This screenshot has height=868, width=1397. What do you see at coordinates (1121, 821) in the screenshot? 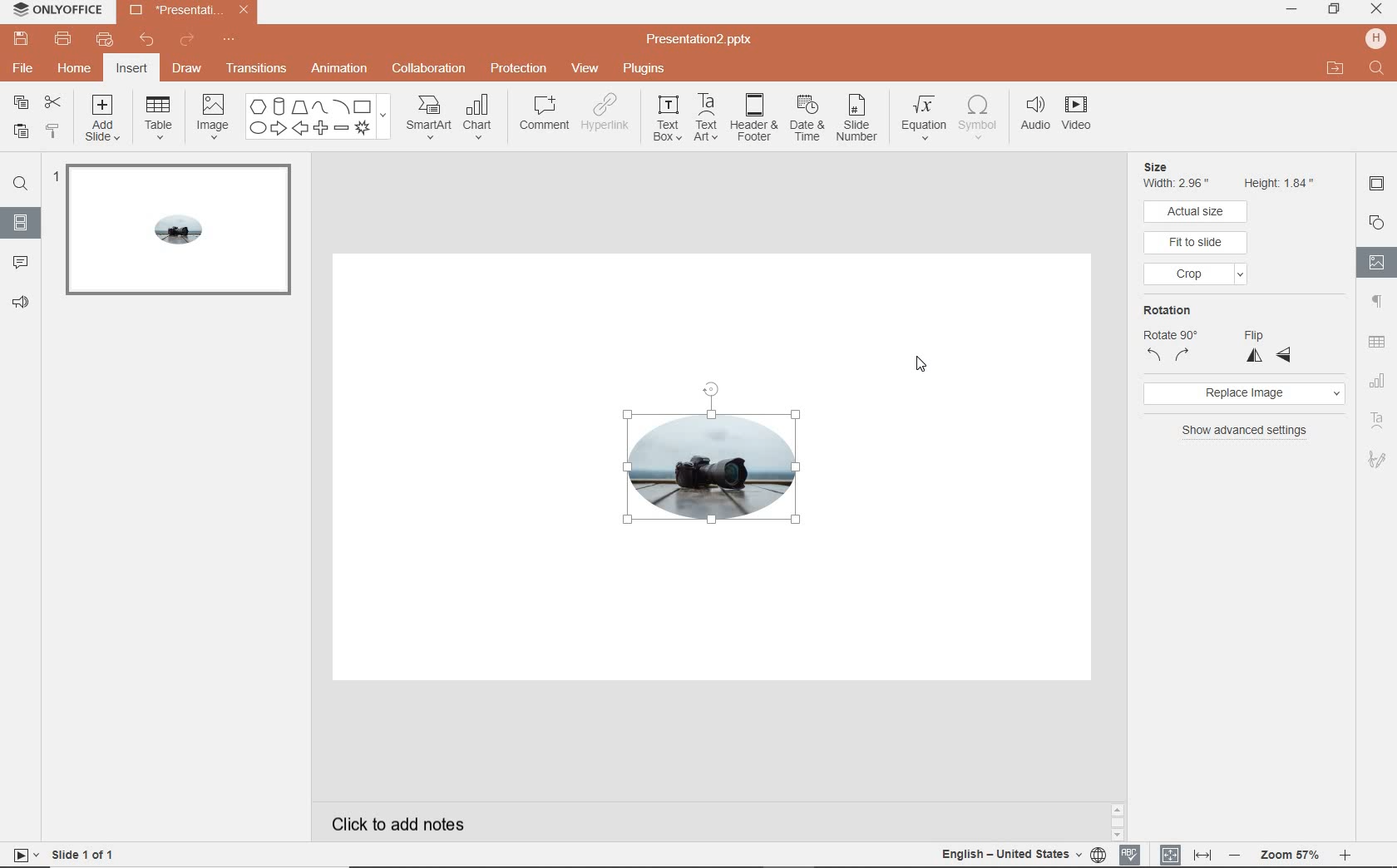
I see `scrollbar` at bounding box center [1121, 821].